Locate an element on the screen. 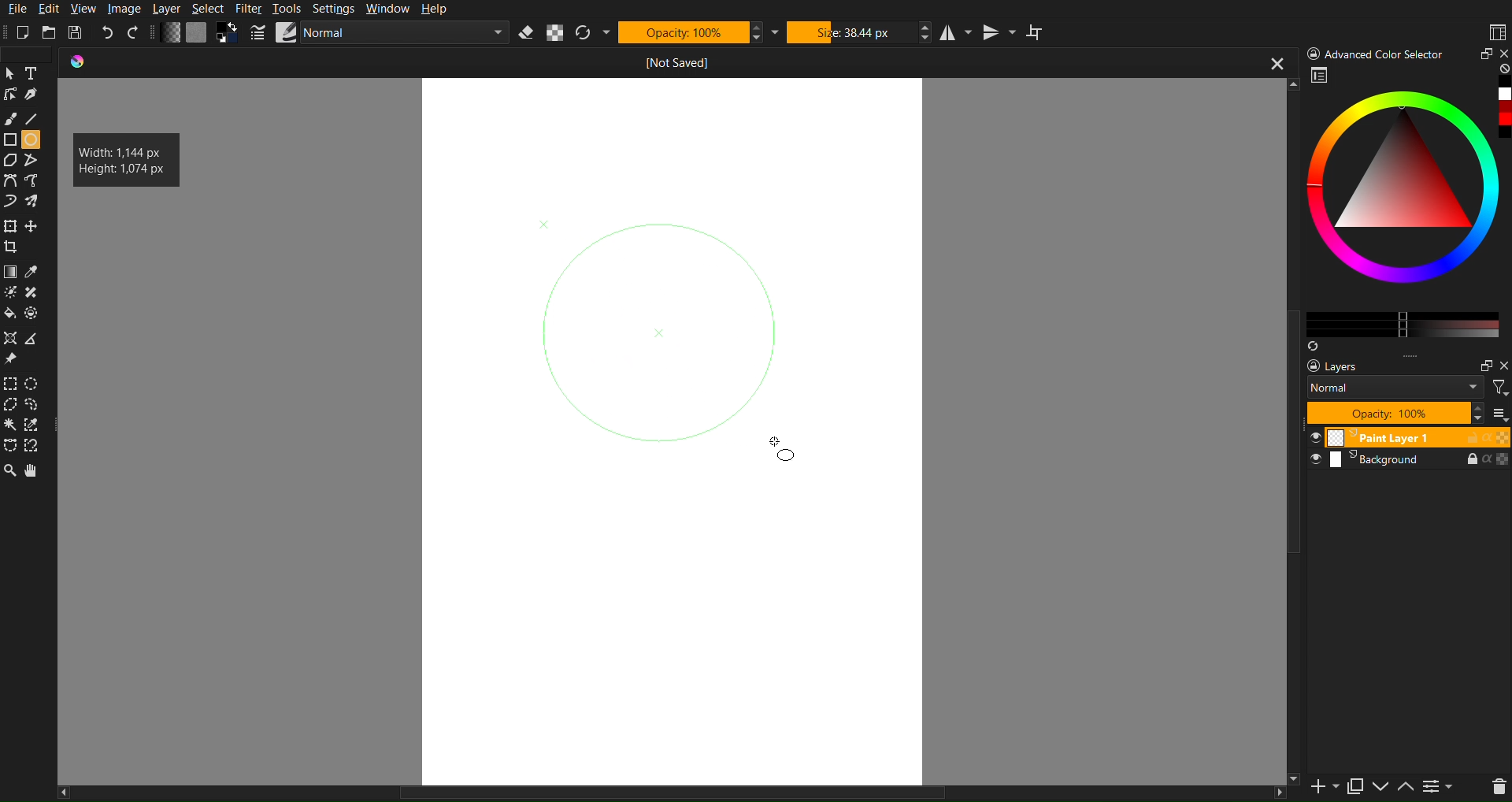 This screenshot has width=1512, height=802. Size is located at coordinates (848, 32).